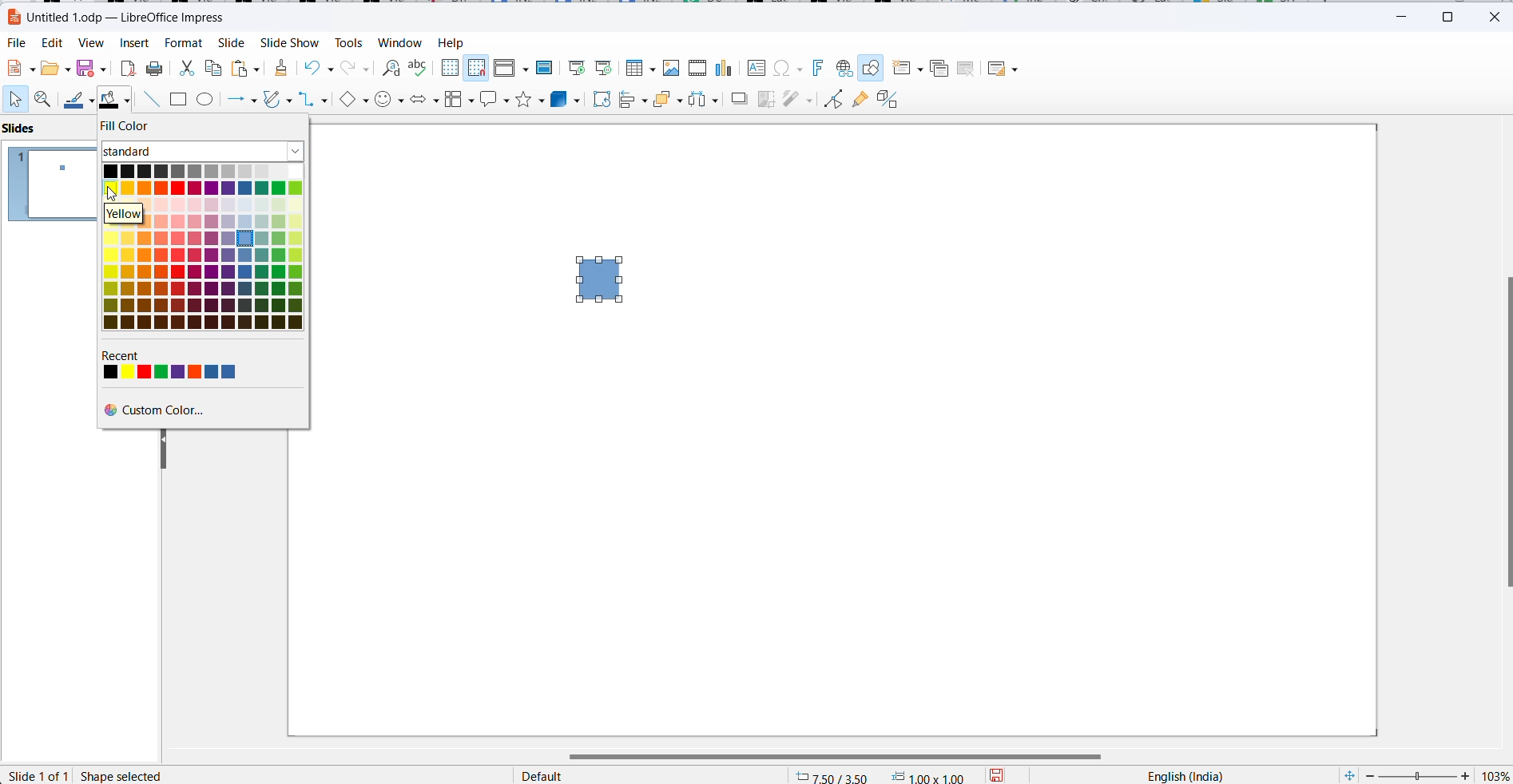 This screenshot has width=1513, height=784. Describe the element at coordinates (129, 101) in the screenshot. I see `fill color options` at that location.